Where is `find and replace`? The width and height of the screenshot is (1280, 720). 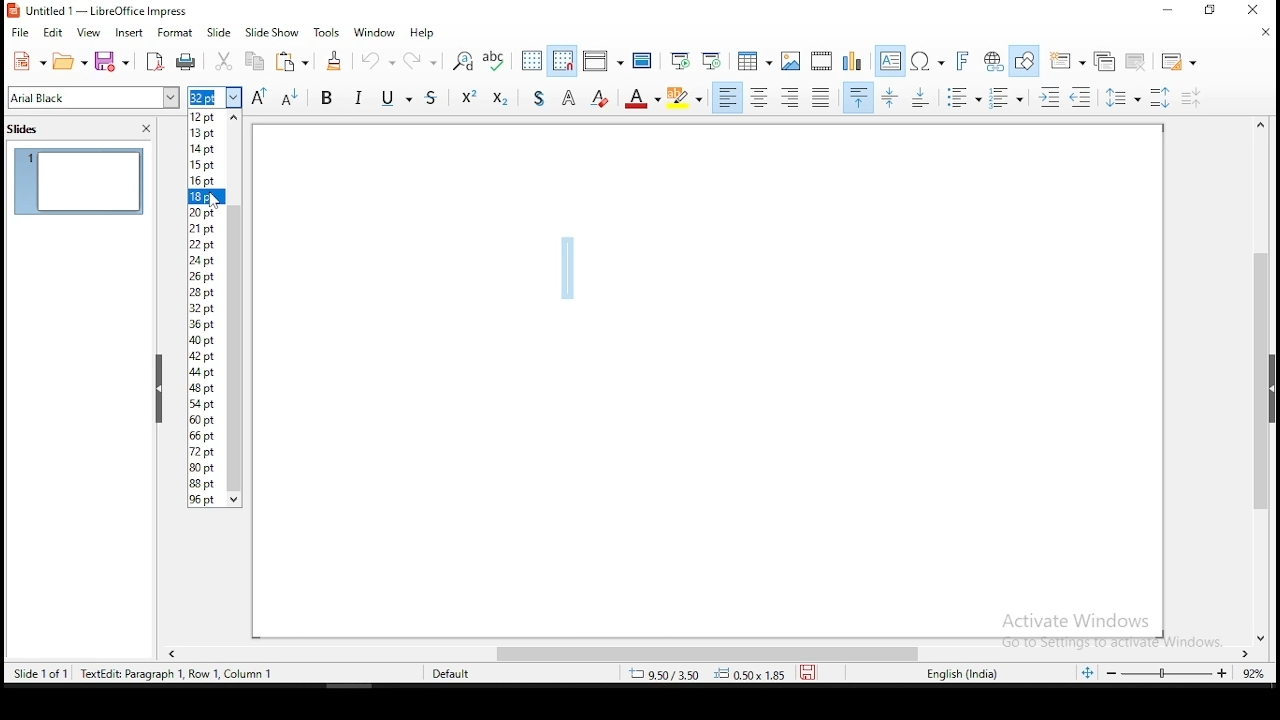 find and replace is located at coordinates (462, 61).